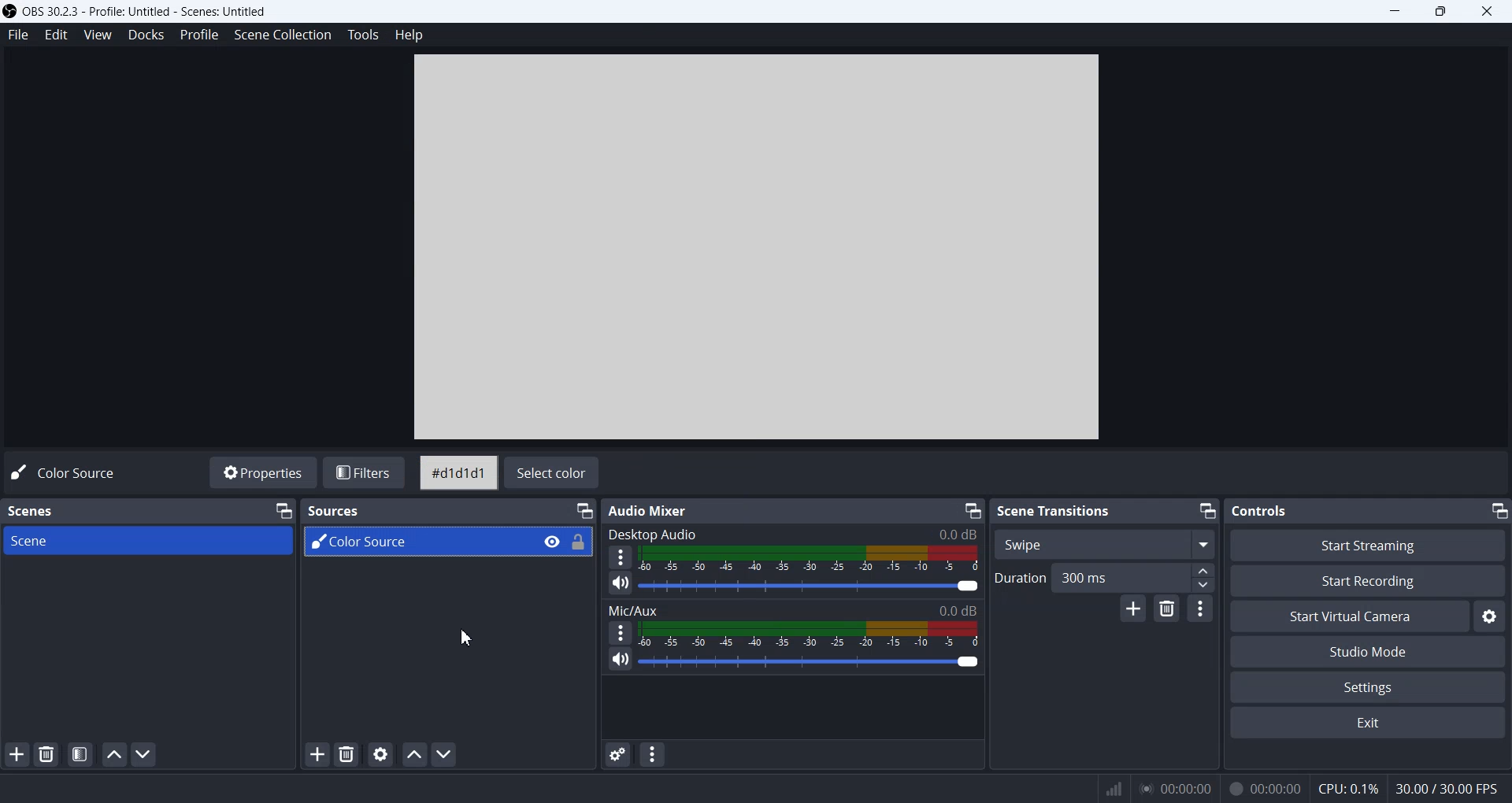 This screenshot has width=1512, height=803. What do you see at coordinates (1369, 580) in the screenshot?
I see `Start Recording` at bounding box center [1369, 580].